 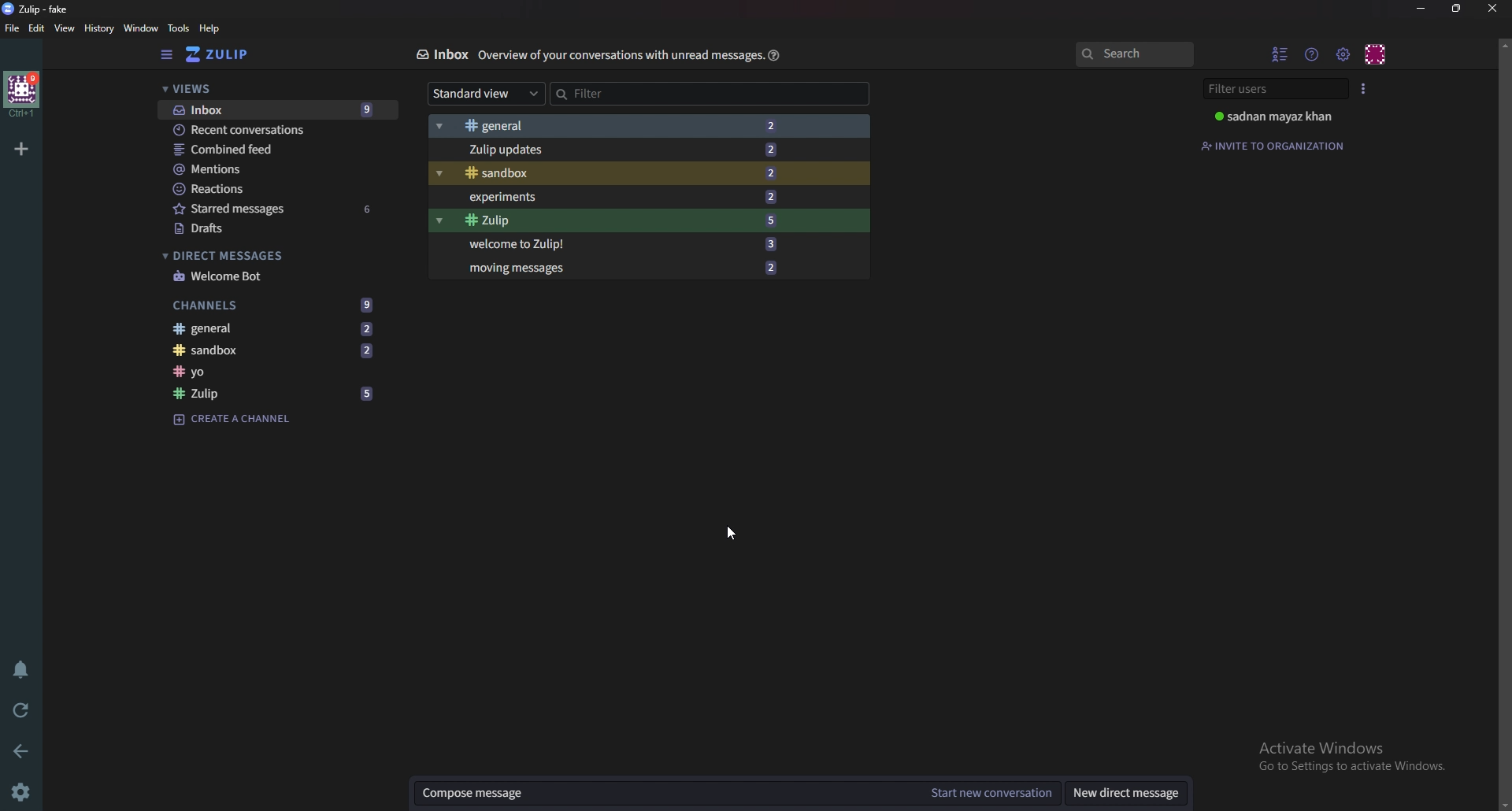 What do you see at coordinates (1136, 54) in the screenshot?
I see `Search` at bounding box center [1136, 54].